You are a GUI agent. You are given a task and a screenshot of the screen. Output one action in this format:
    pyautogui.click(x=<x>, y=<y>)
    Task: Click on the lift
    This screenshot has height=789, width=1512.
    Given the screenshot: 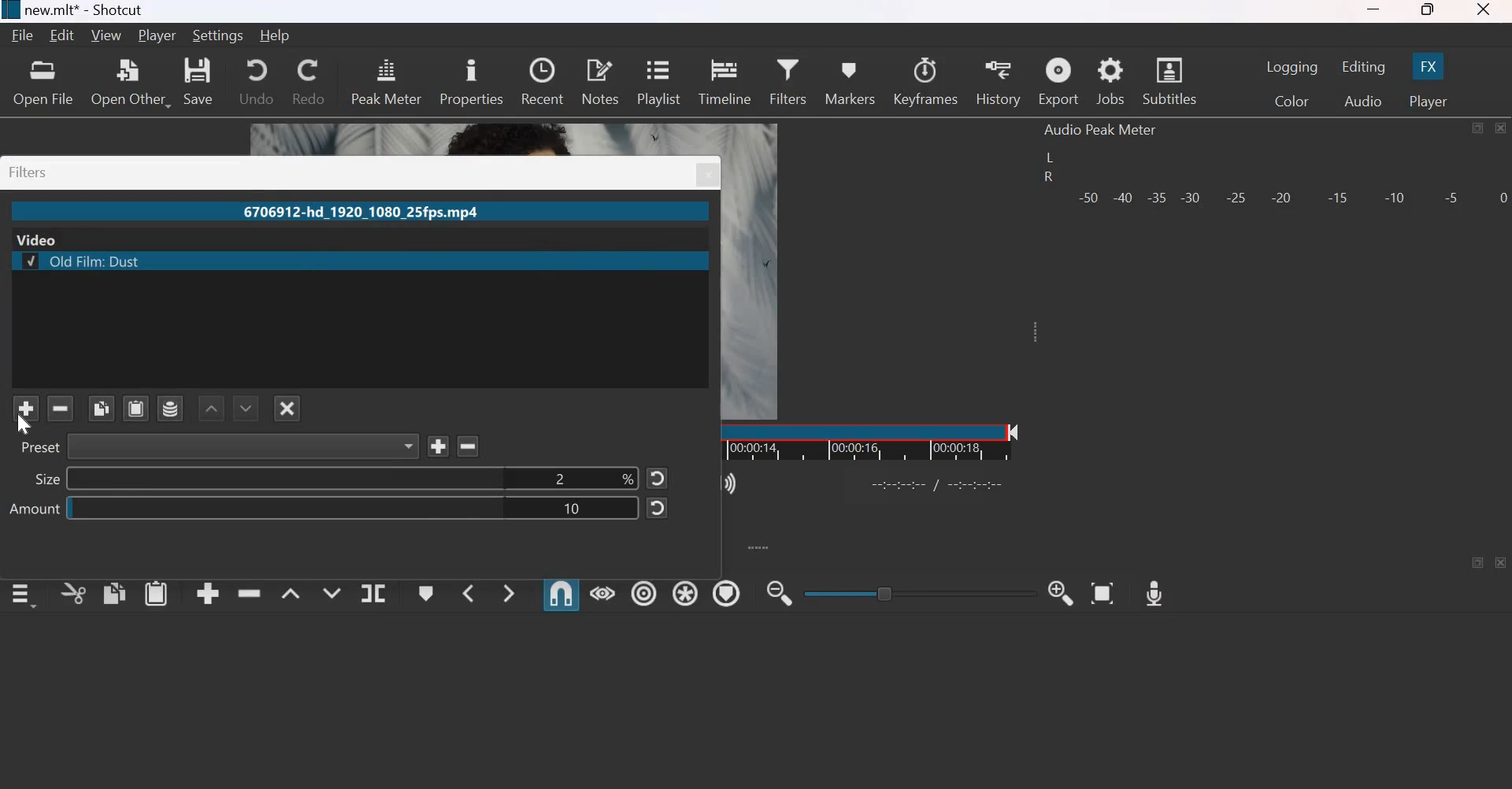 What is the action you would take?
    pyautogui.click(x=291, y=592)
    